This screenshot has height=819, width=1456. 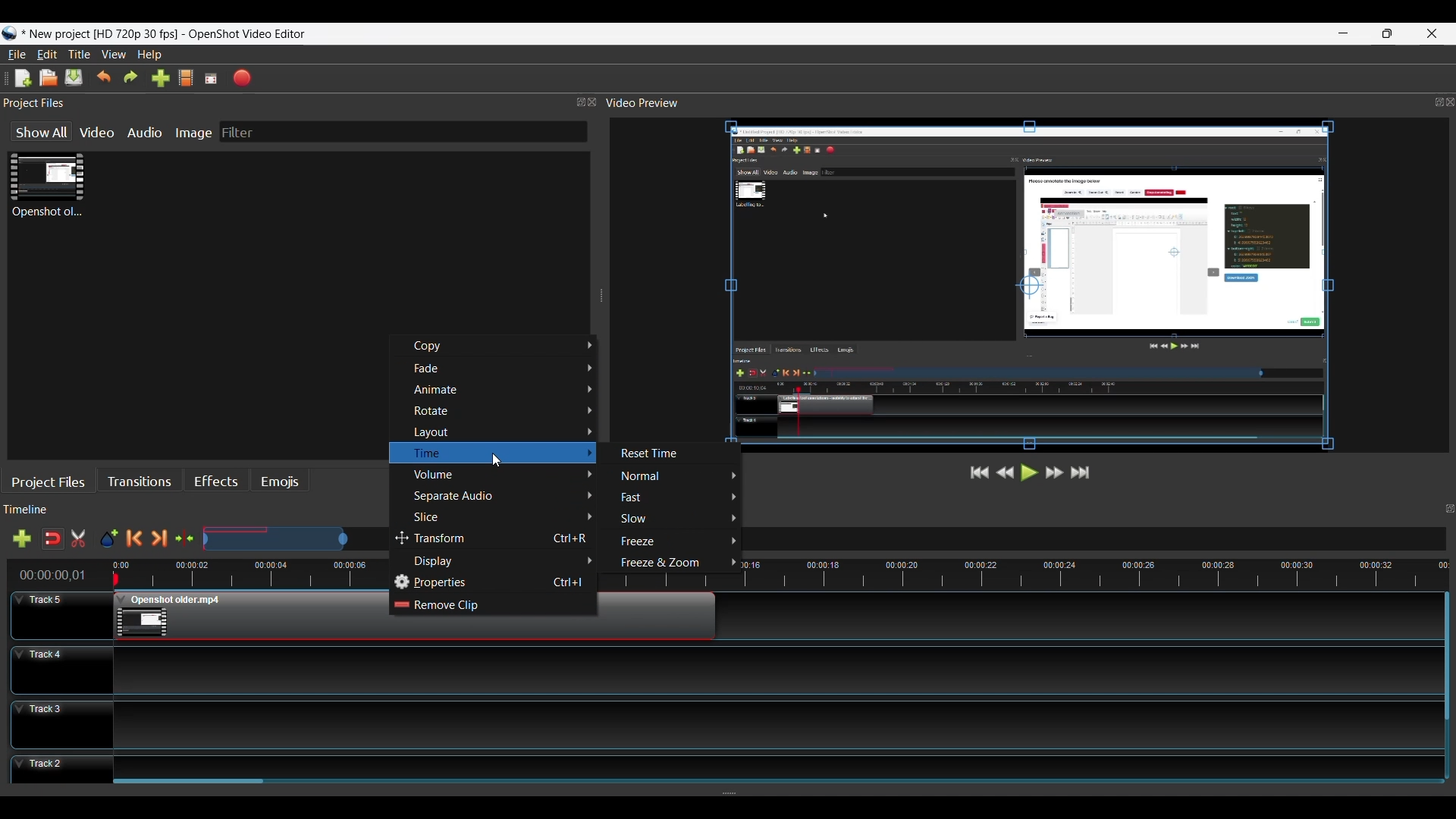 What do you see at coordinates (1032, 288) in the screenshot?
I see `Preview Window` at bounding box center [1032, 288].